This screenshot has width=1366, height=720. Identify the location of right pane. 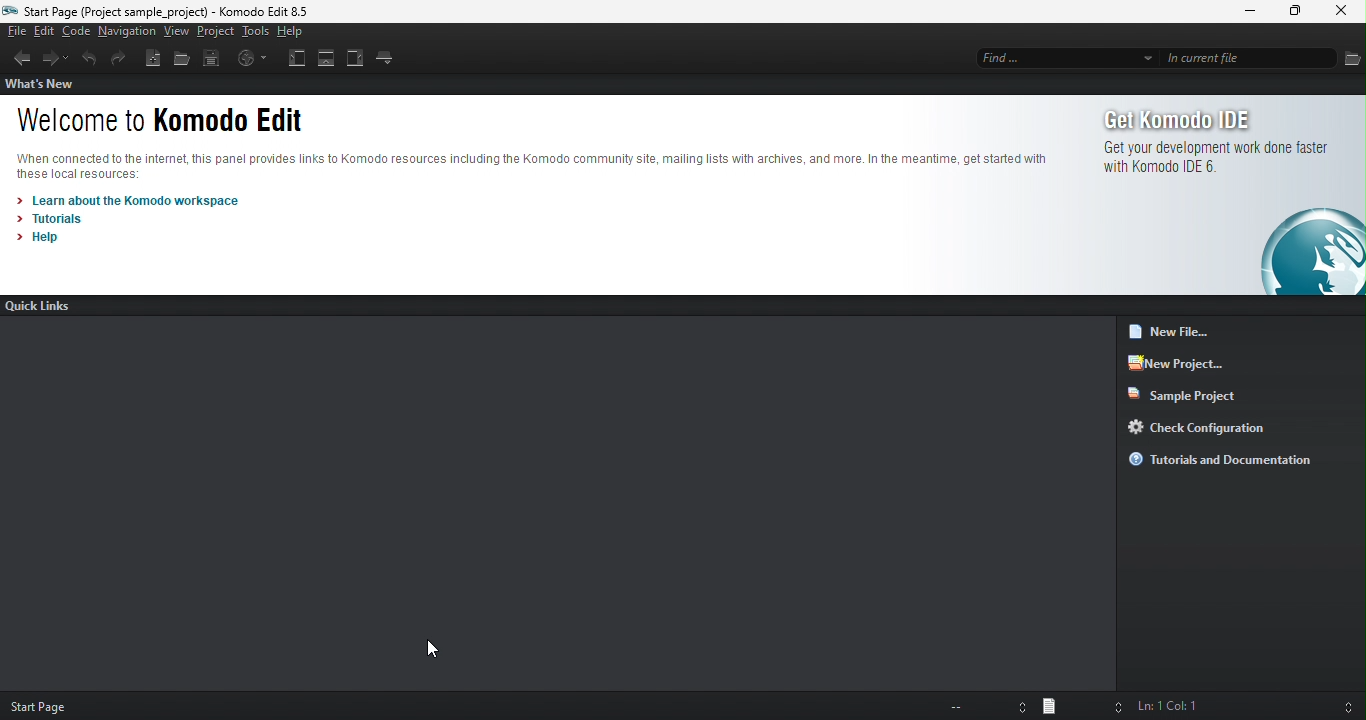
(359, 55).